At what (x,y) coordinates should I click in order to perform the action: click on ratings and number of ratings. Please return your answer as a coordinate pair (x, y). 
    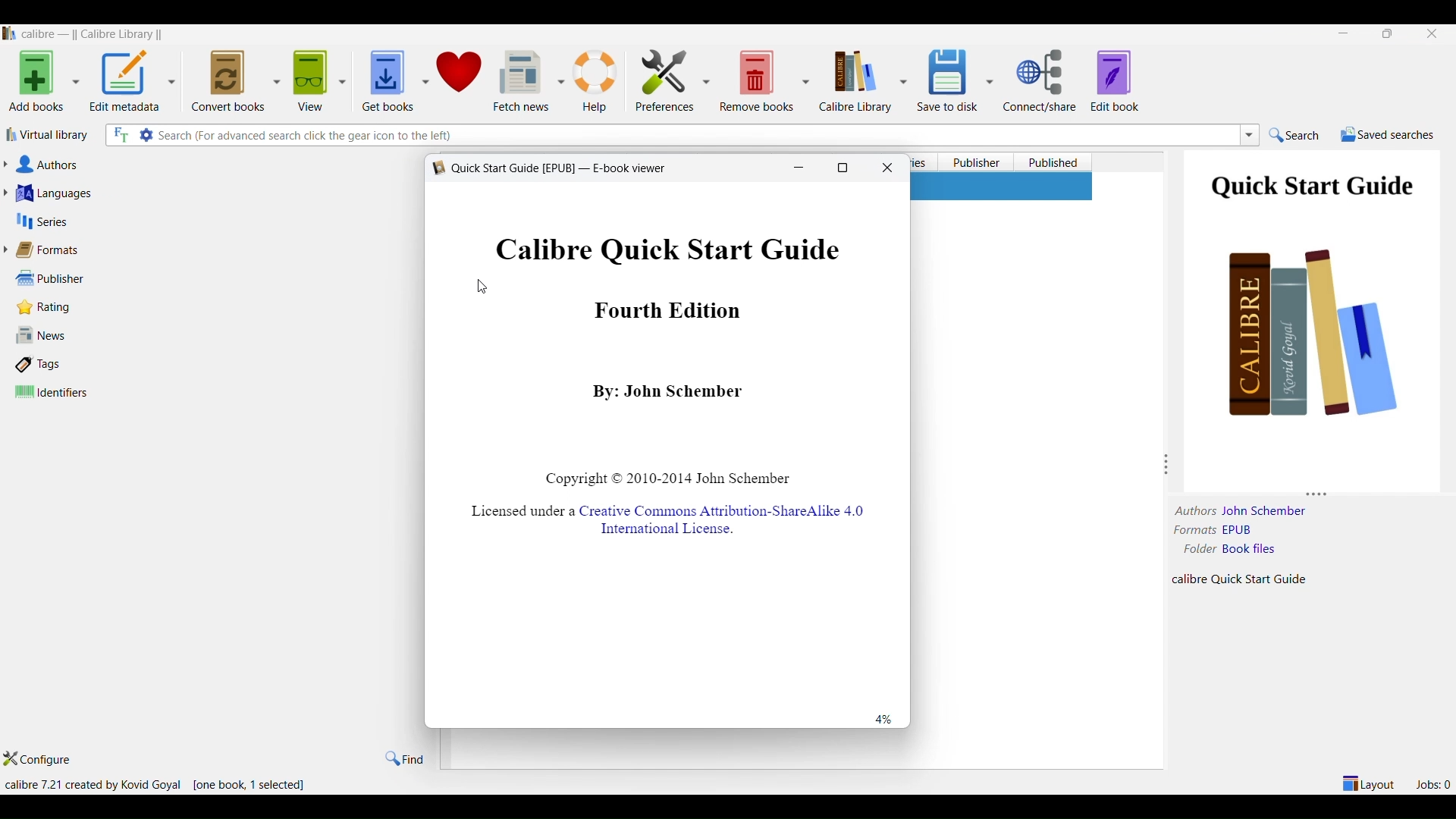
    Looking at the image, I should click on (216, 306).